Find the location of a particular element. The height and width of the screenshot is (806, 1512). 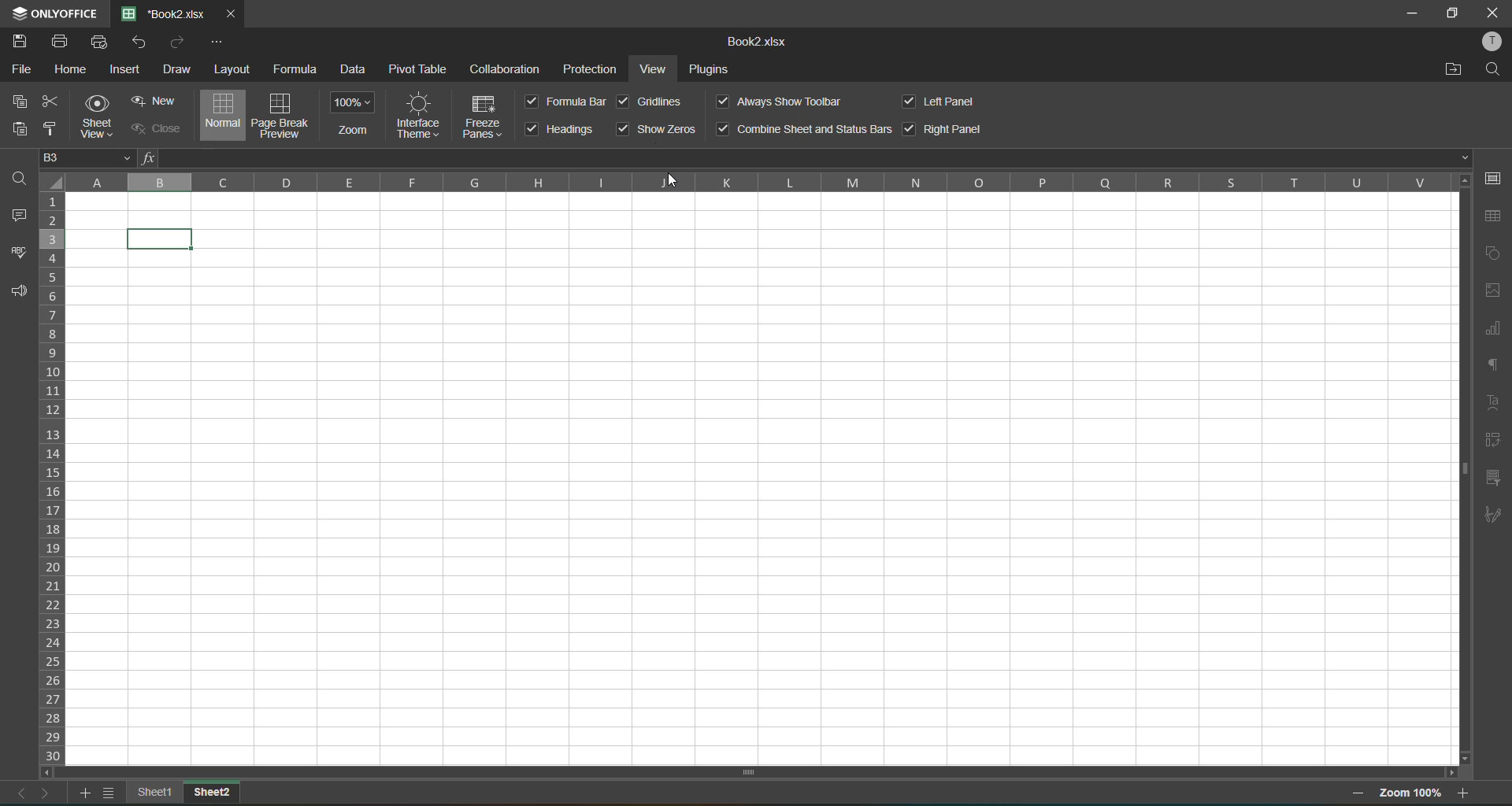

sheet 1 is located at coordinates (157, 794).